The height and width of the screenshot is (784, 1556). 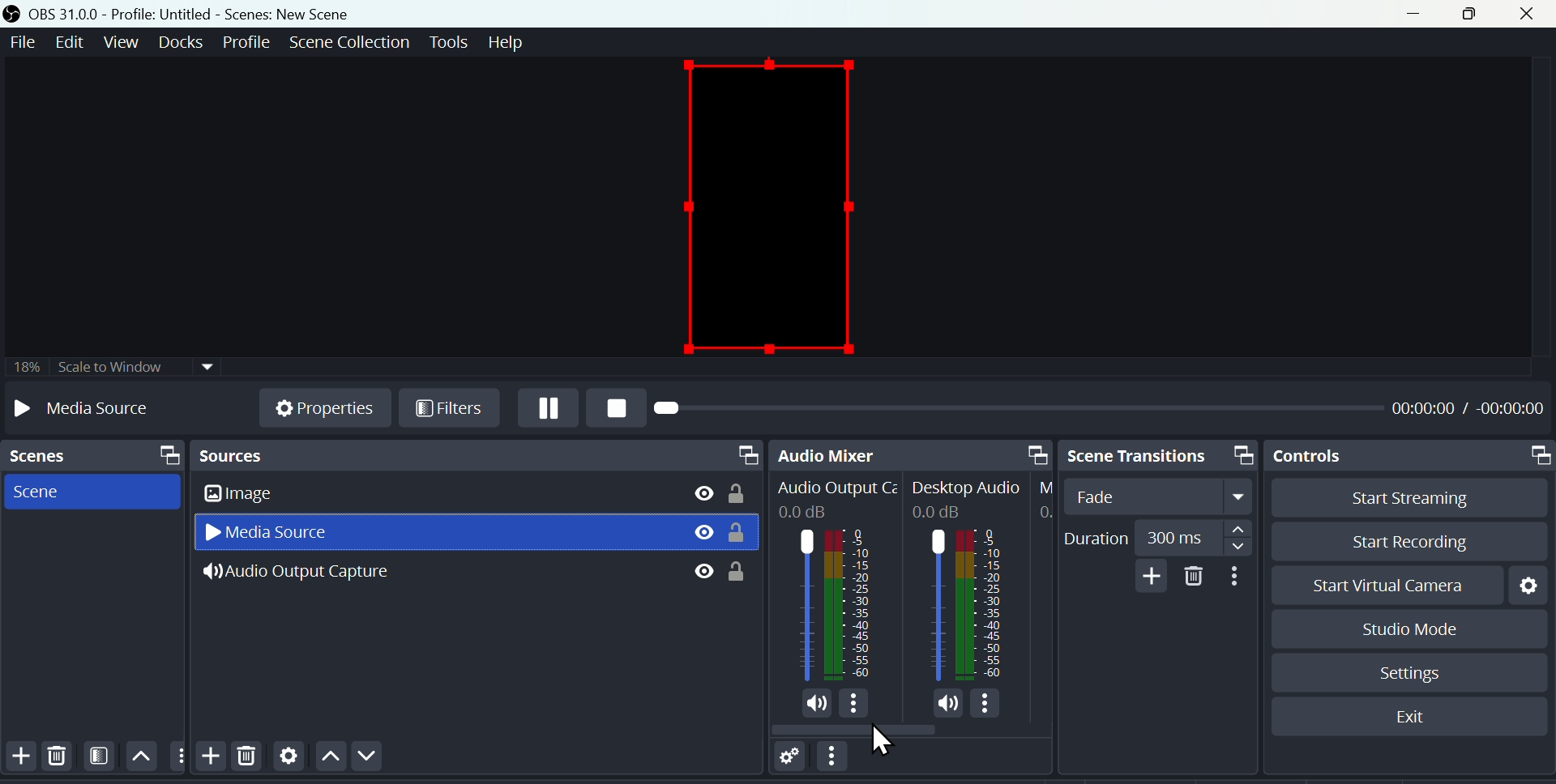 I want to click on Settings, so click(x=791, y=760).